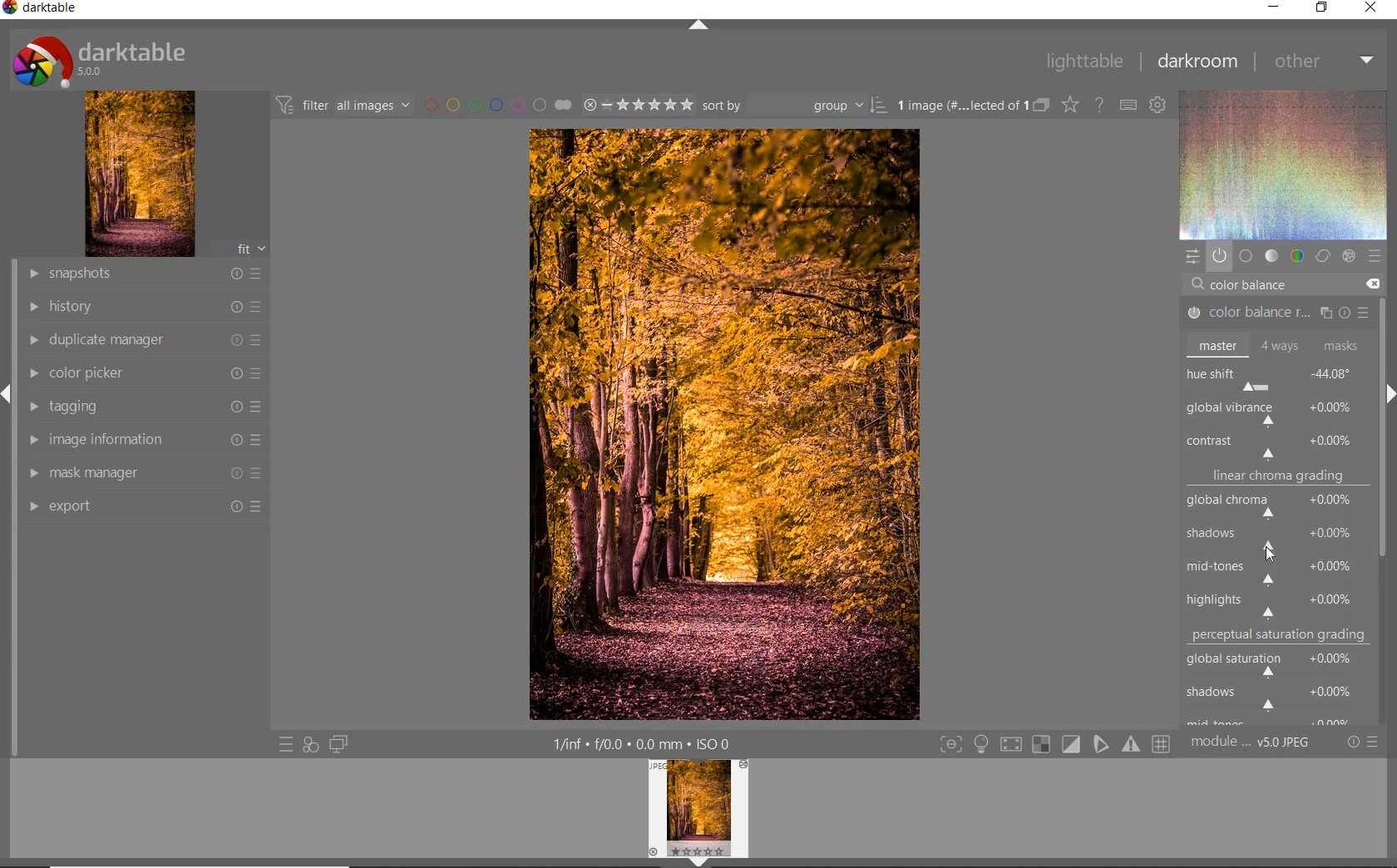  Describe the element at coordinates (1276, 445) in the screenshot. I see `contrast` at that location.